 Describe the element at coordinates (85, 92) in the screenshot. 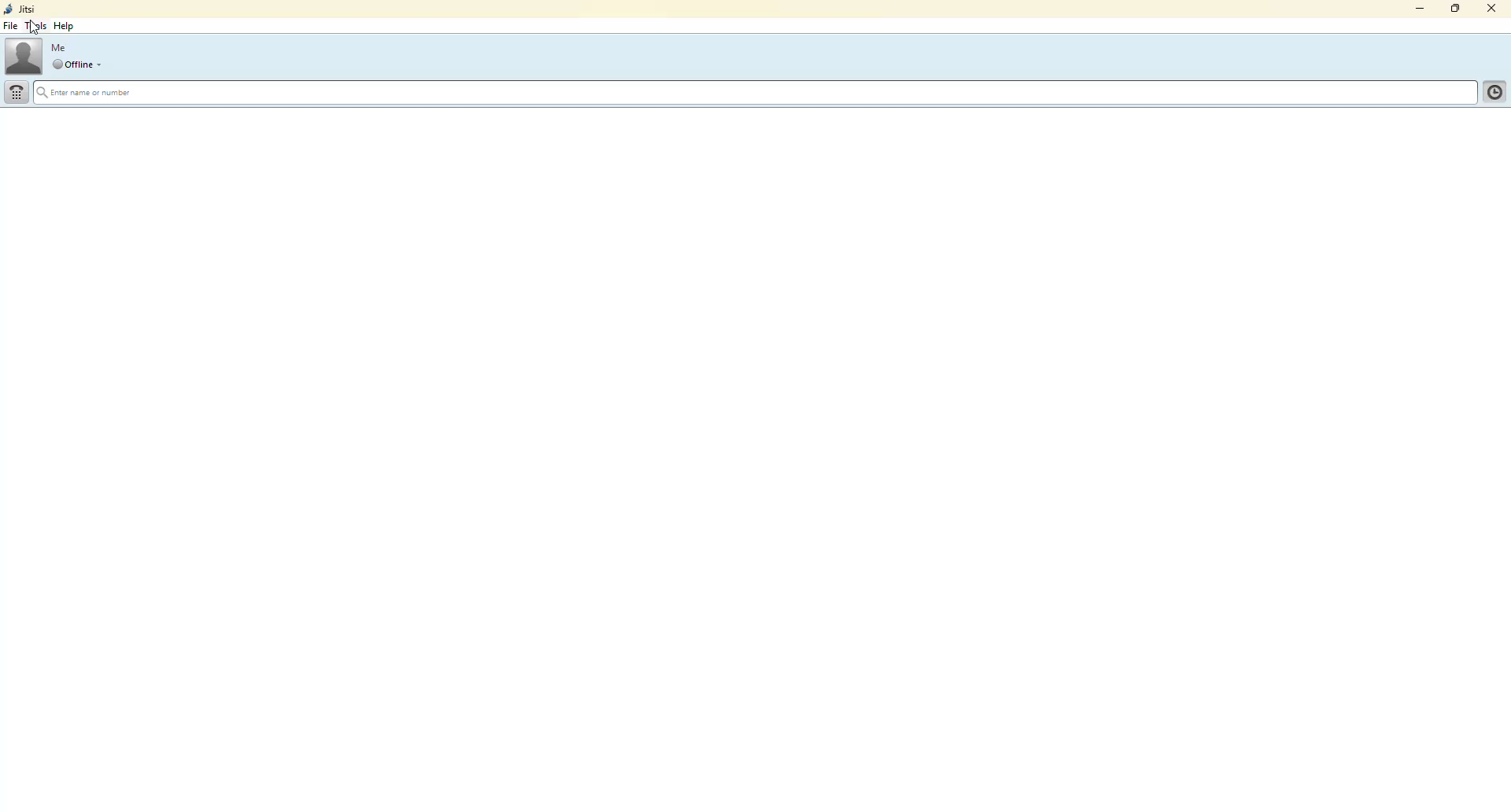

I see `enter name or number` at that location.